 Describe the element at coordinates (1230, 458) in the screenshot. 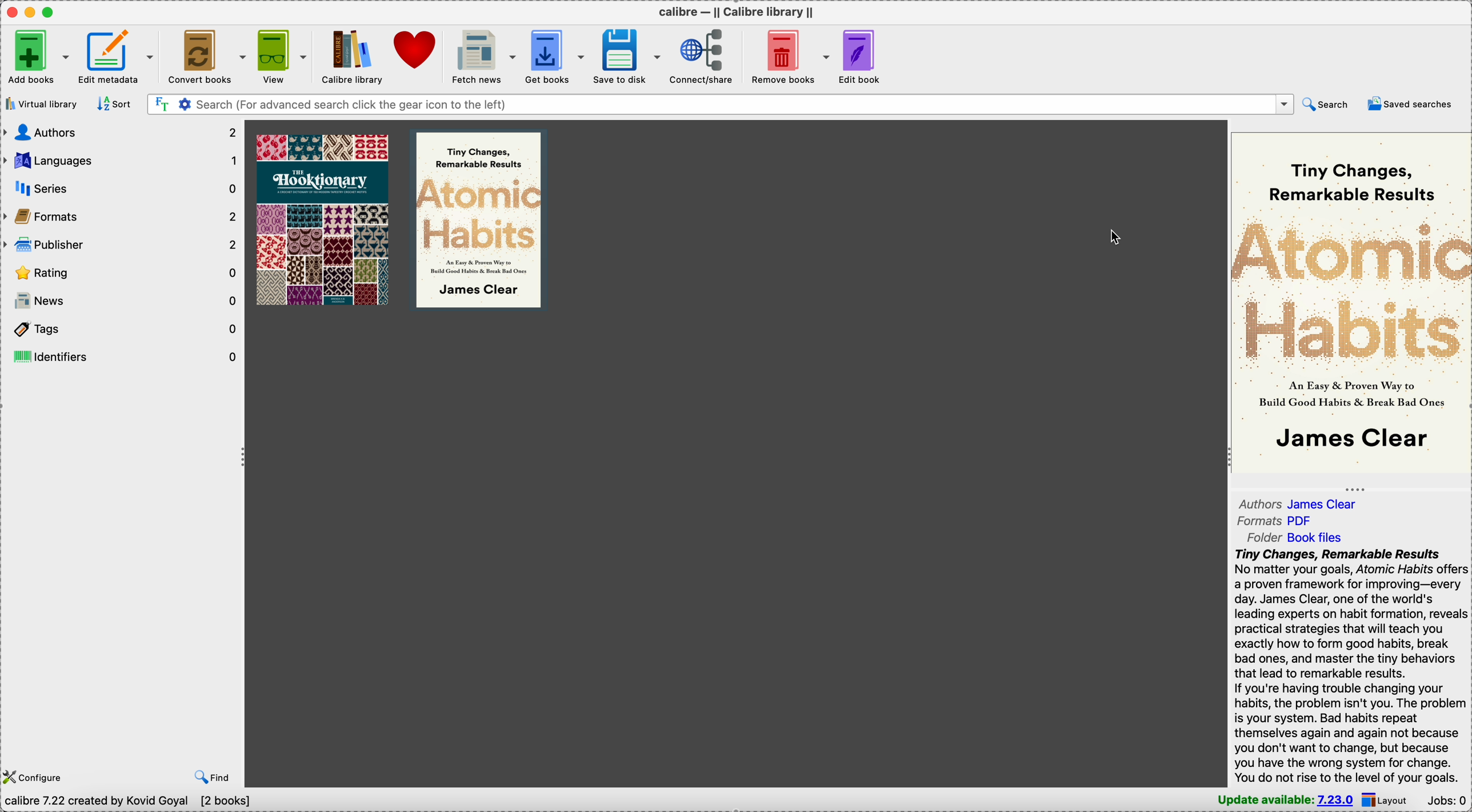

I see `toggle expand/contract` at that location.